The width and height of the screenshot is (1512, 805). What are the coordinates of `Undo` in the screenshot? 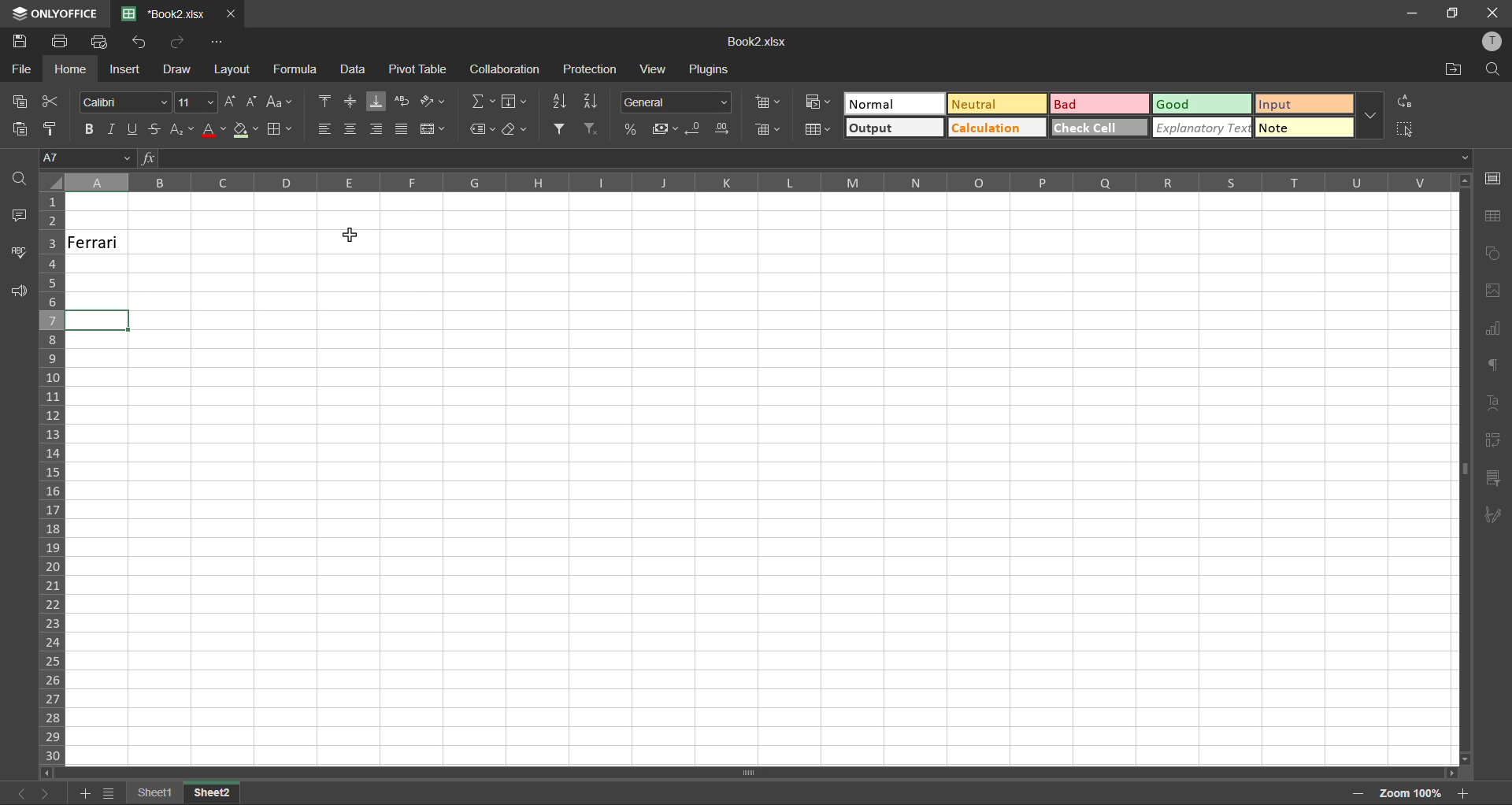 It's located at (145, 46).